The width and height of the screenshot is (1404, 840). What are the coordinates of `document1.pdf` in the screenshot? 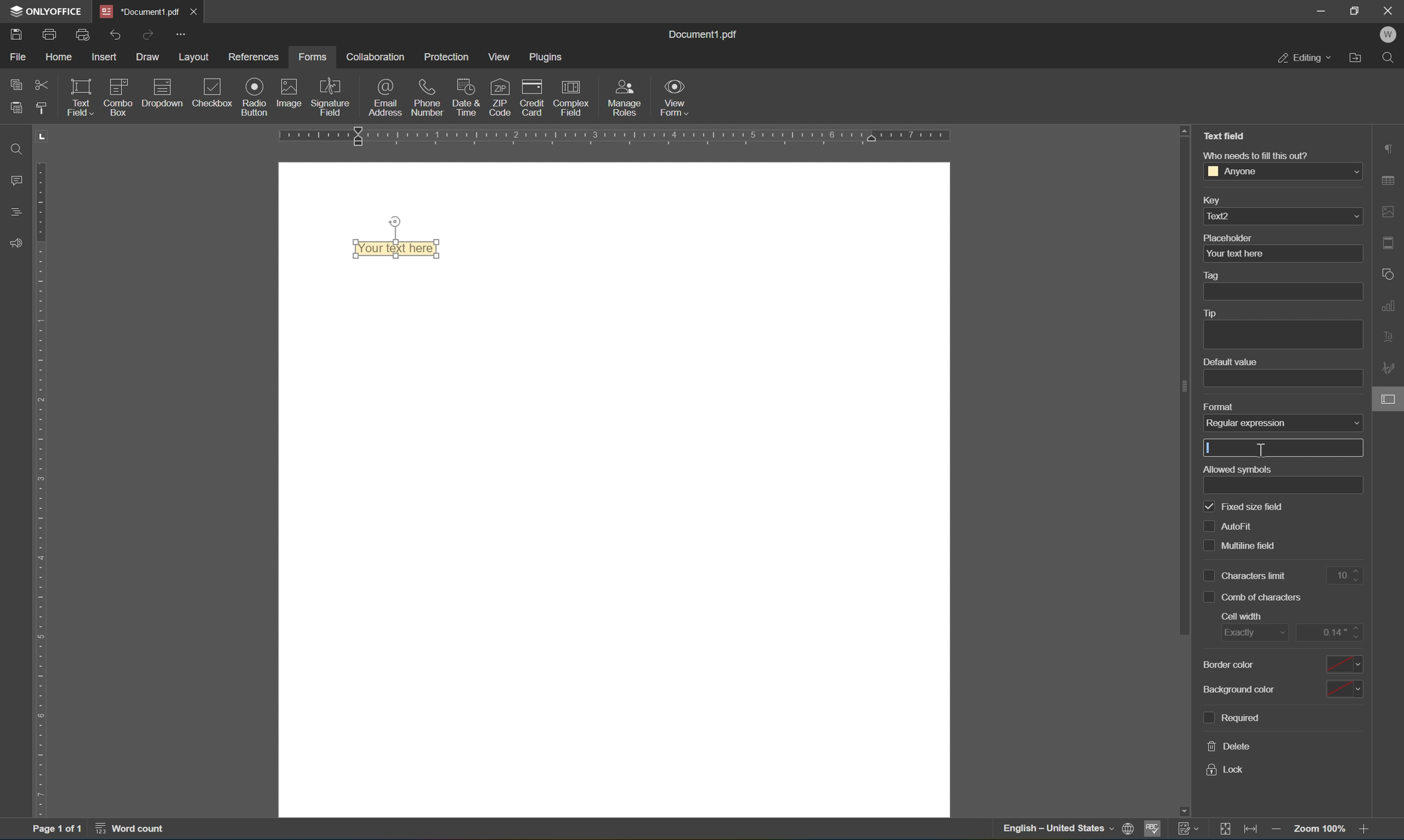 It's located at (707, 34).